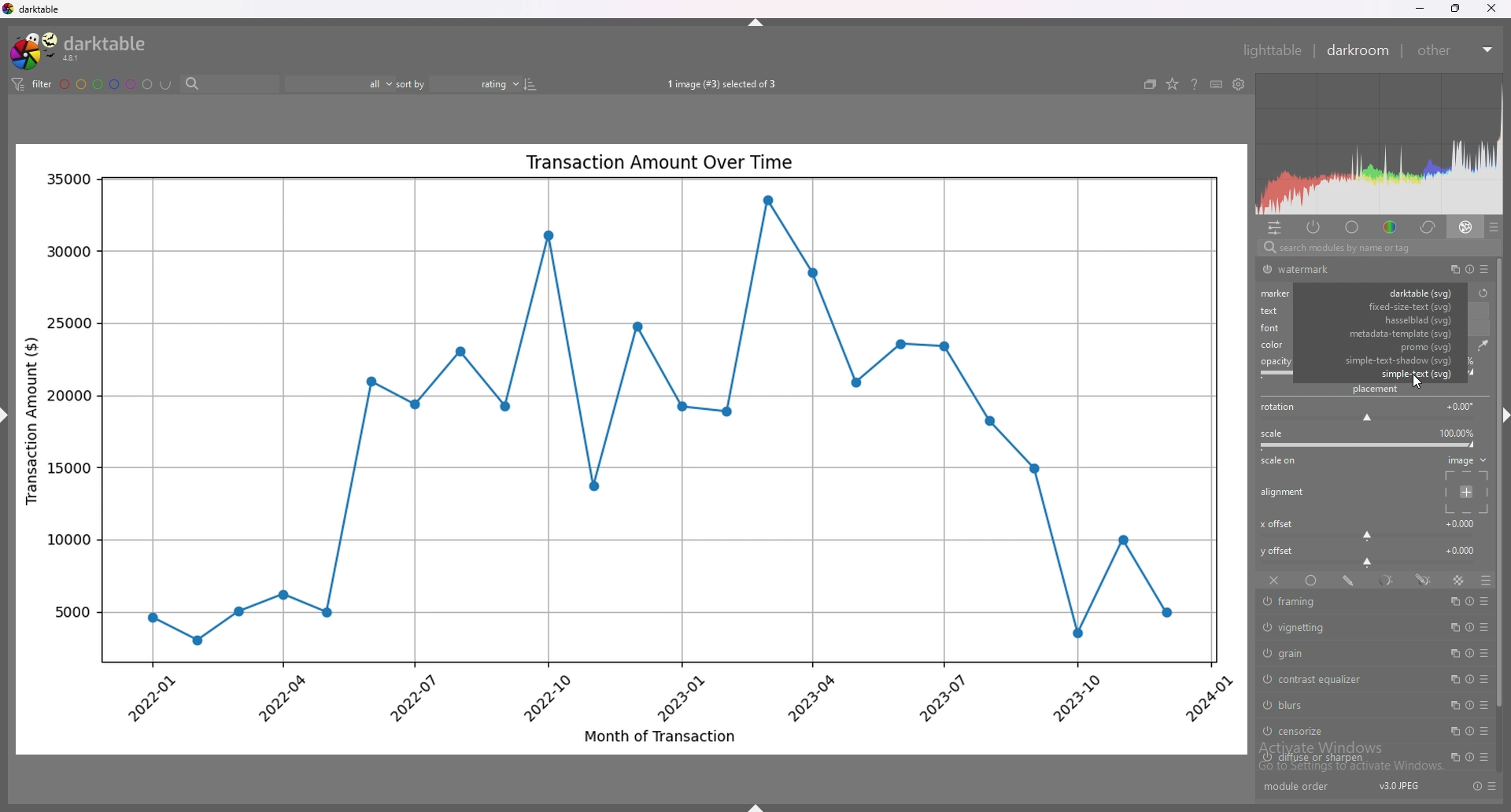 The image size is (1511, 812). Describe the element at coordinates (1238, 84) in the screenshot. I see `show global preferences` at that location.